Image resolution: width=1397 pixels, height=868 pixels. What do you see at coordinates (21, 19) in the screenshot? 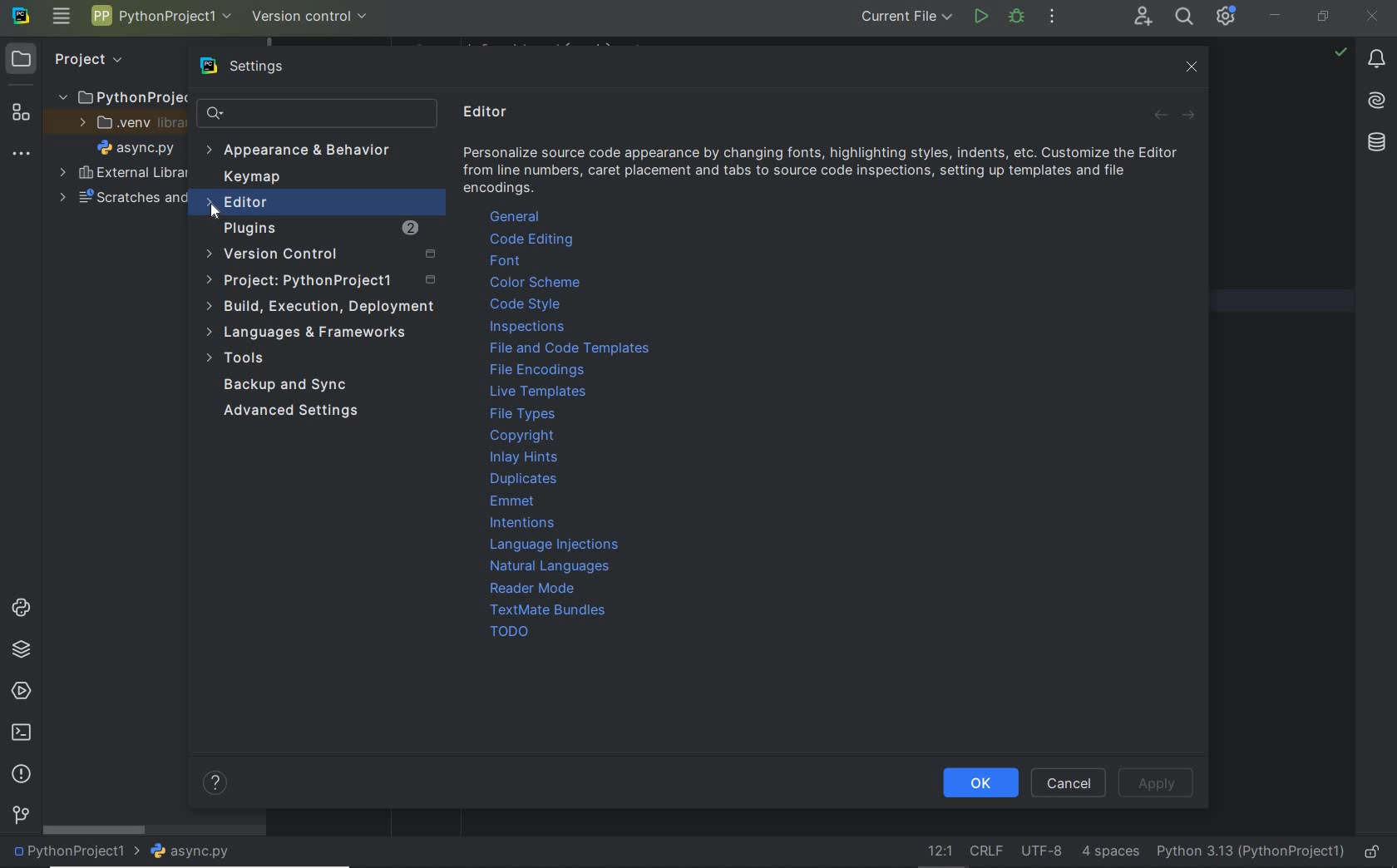
I see `system name` at bounding box center [21, 19].